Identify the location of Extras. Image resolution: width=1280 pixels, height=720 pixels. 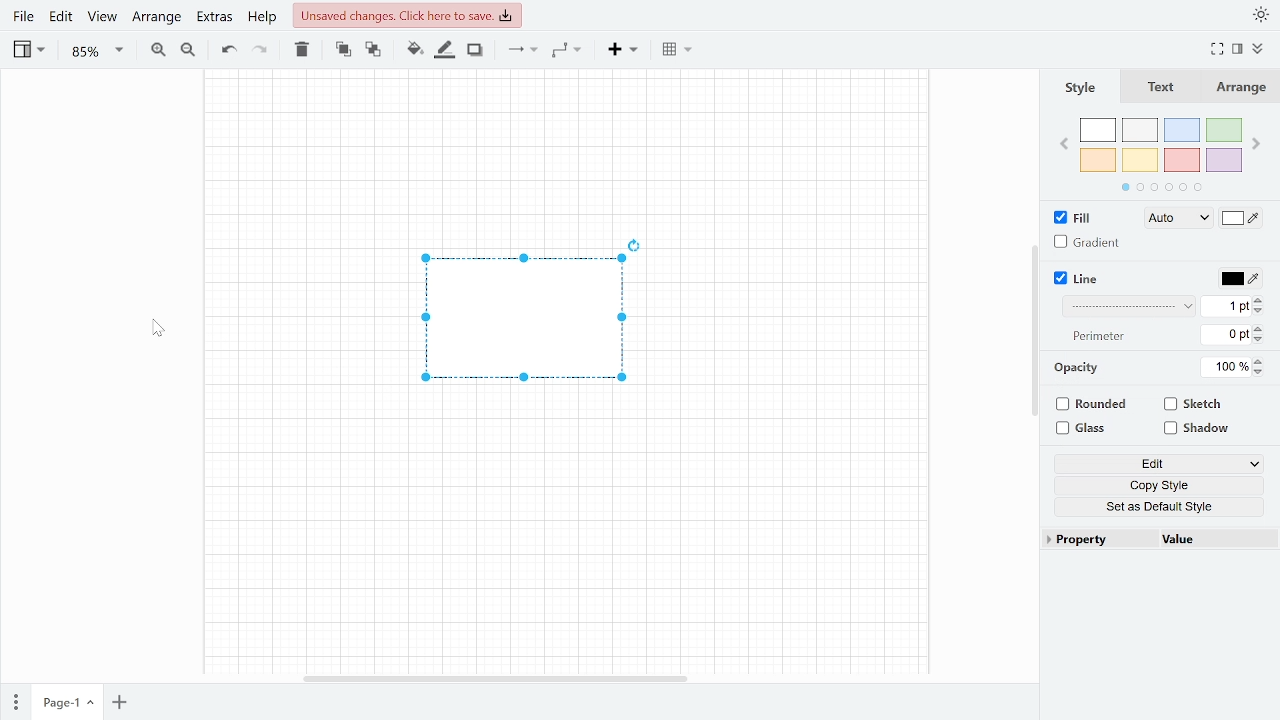
(213, 19).